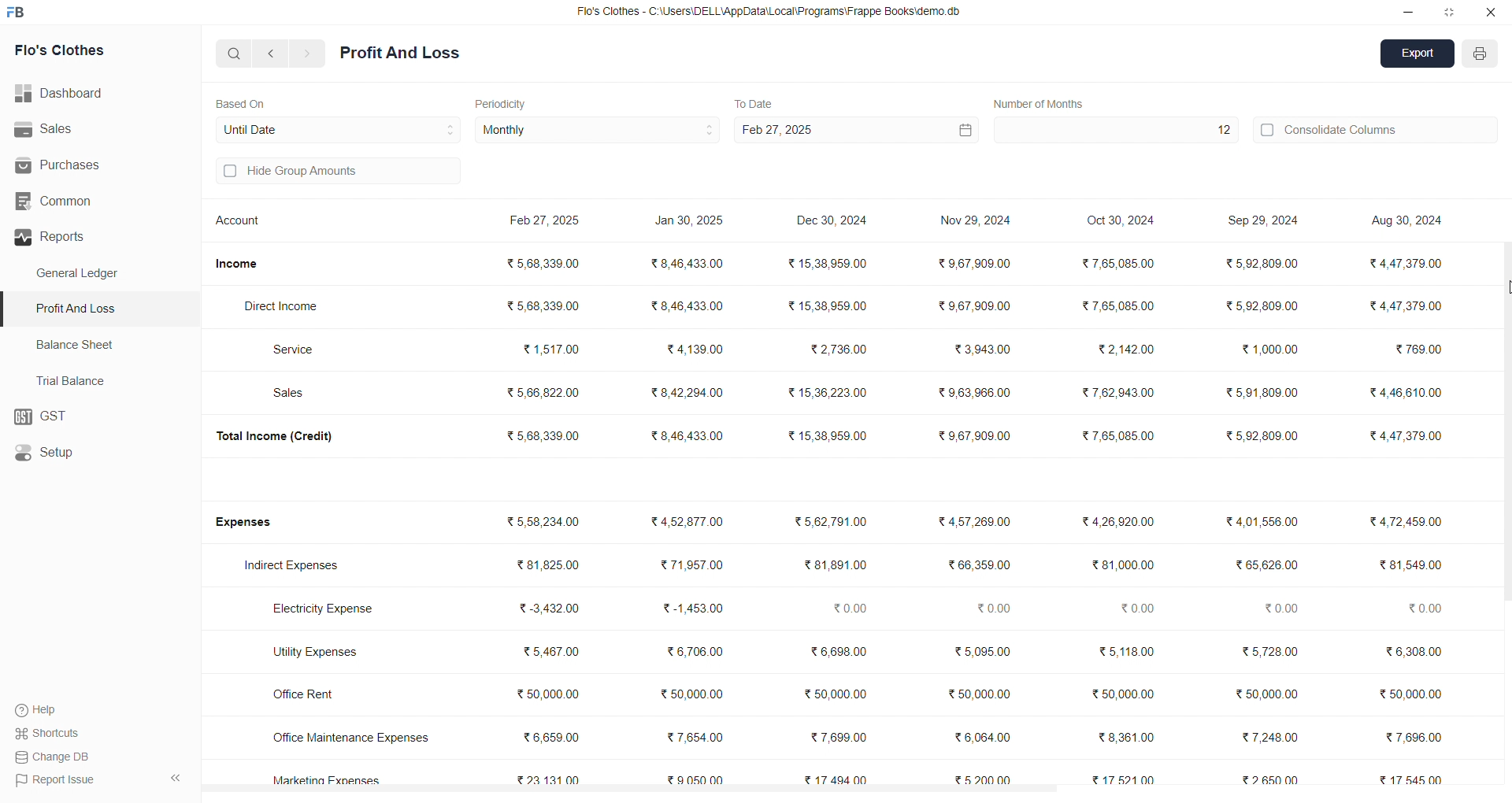 Image resolution: width=1512 pixels, height=803 pixels. What do you see at coordinates (1118, 435) in the screenshot?
I see `₹7,65,085.00` at bounding box center [1118, 435].